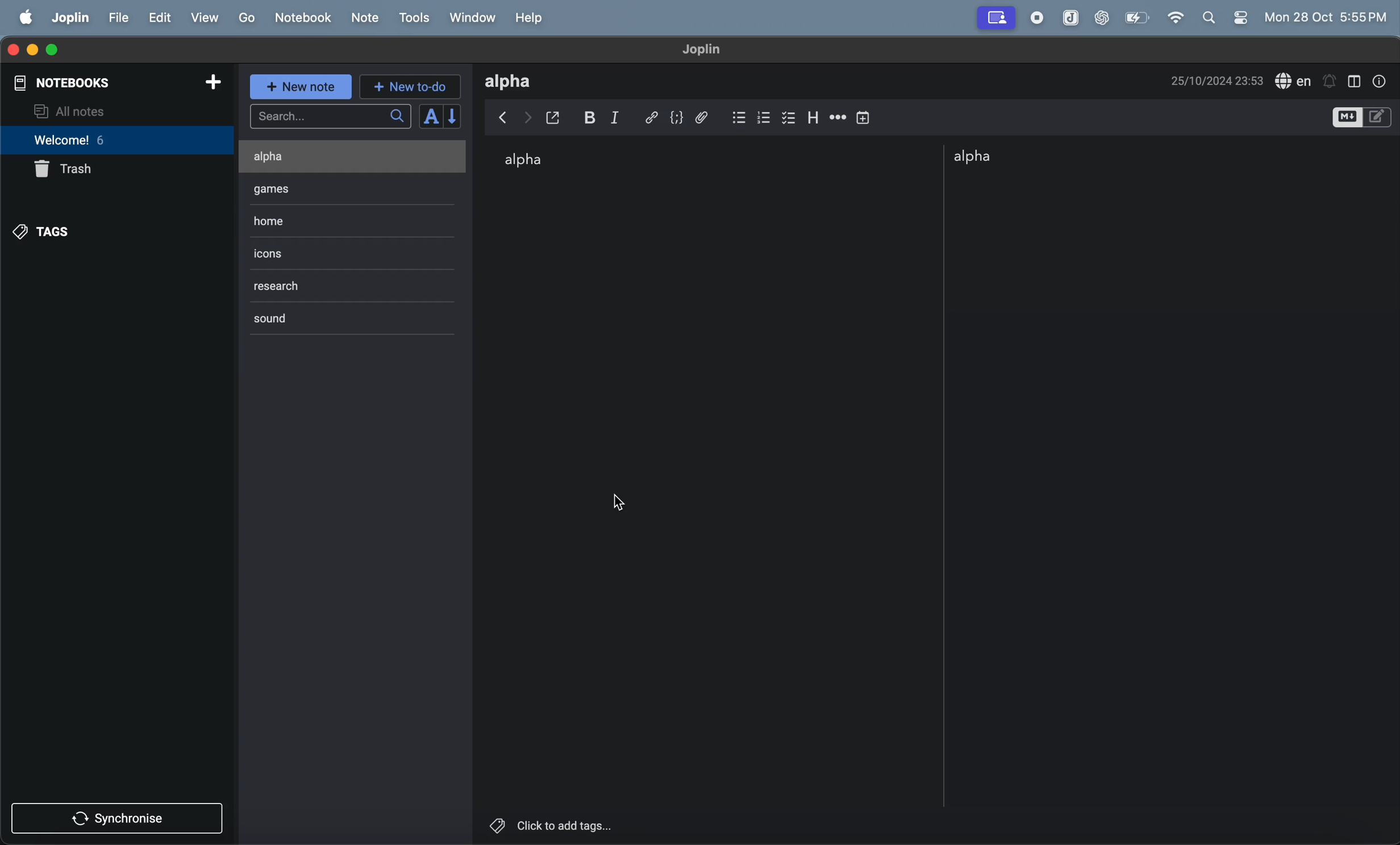  Describe the element at coordinates (594, 117) in the screenshot. I see `` at that location.